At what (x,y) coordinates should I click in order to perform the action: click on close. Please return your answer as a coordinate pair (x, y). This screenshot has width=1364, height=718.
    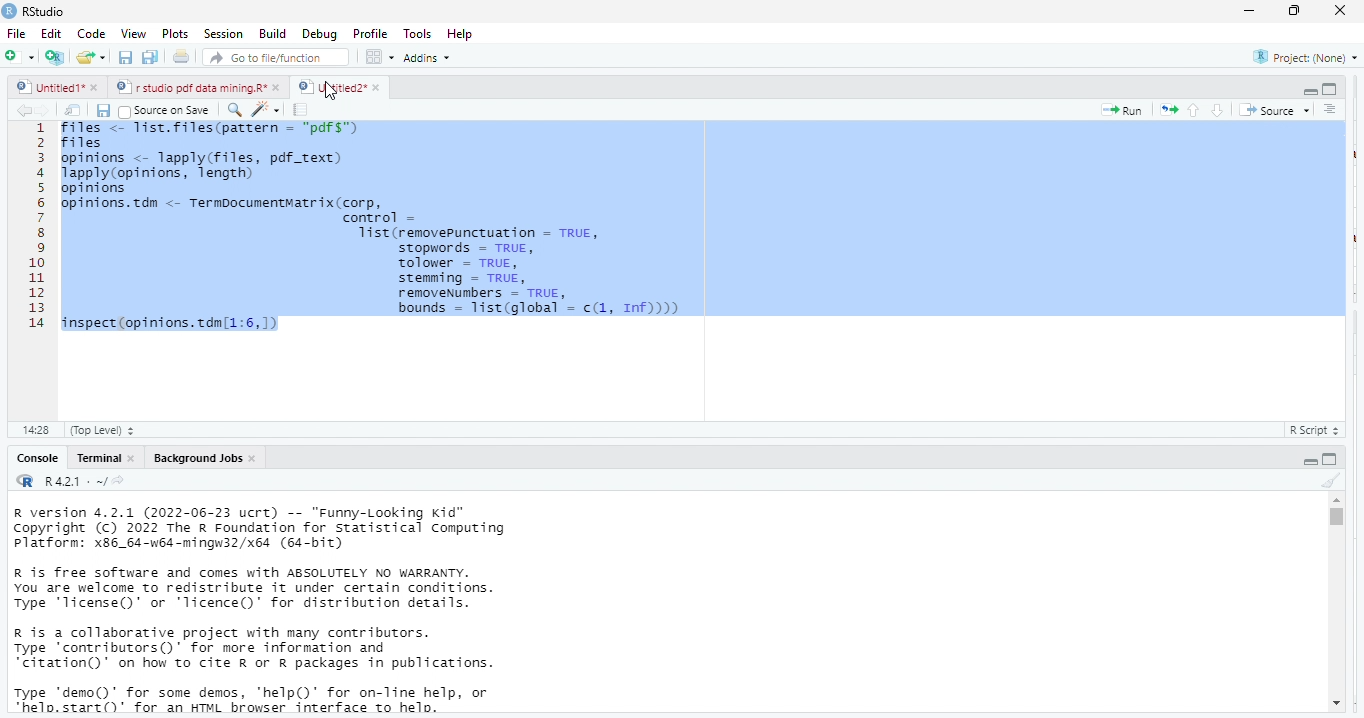
    Looking at the image, I should click on (376, 87).